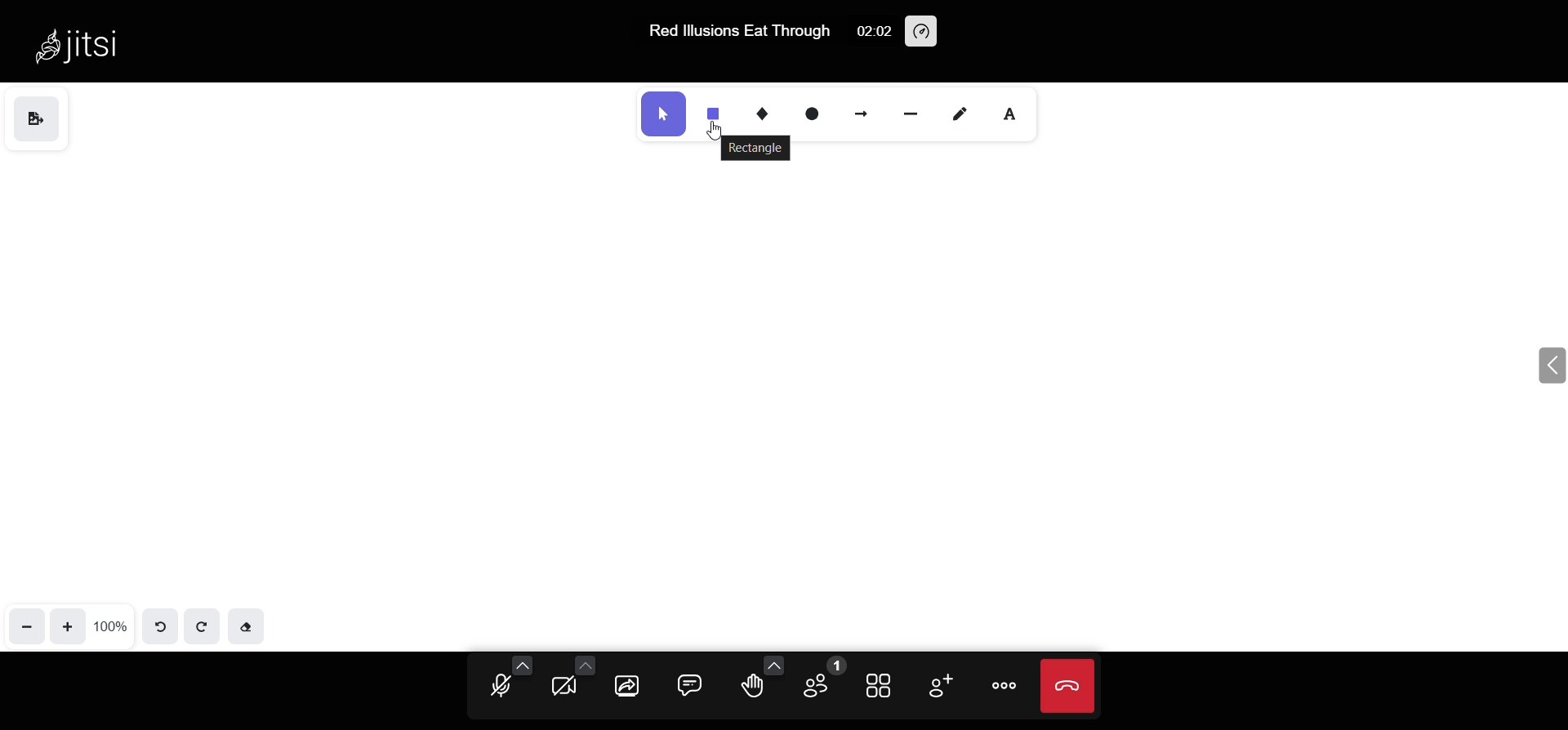  Describe the element at coordinates (584, 664) in the screenshot. I see `more camera options` at that location.